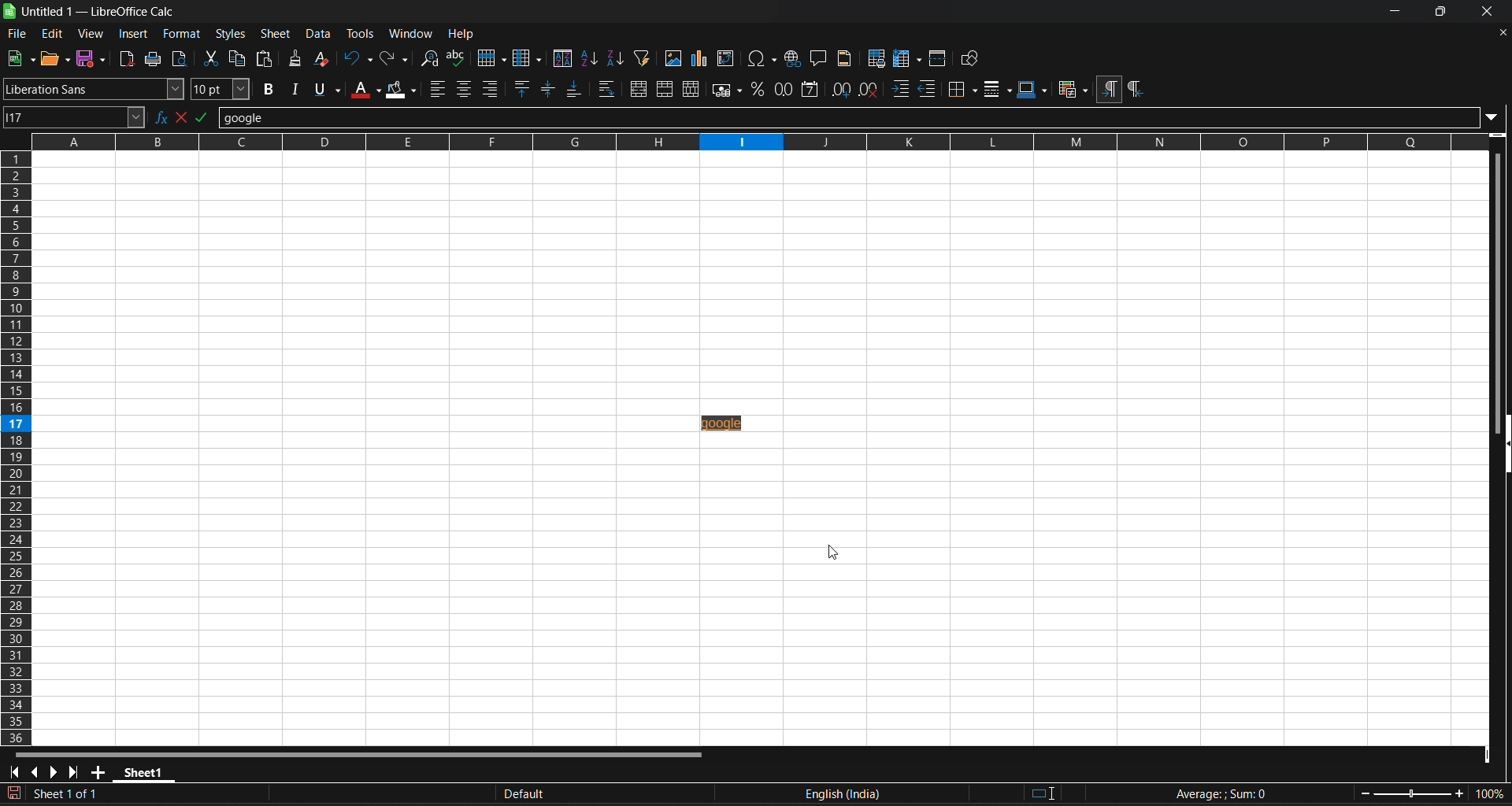 The width and height of the screenshot is (1512, 806). What do you see at coordinates (1396, 11) in the screenshot?
I see `minimize` at bounding box center [1396, 11].